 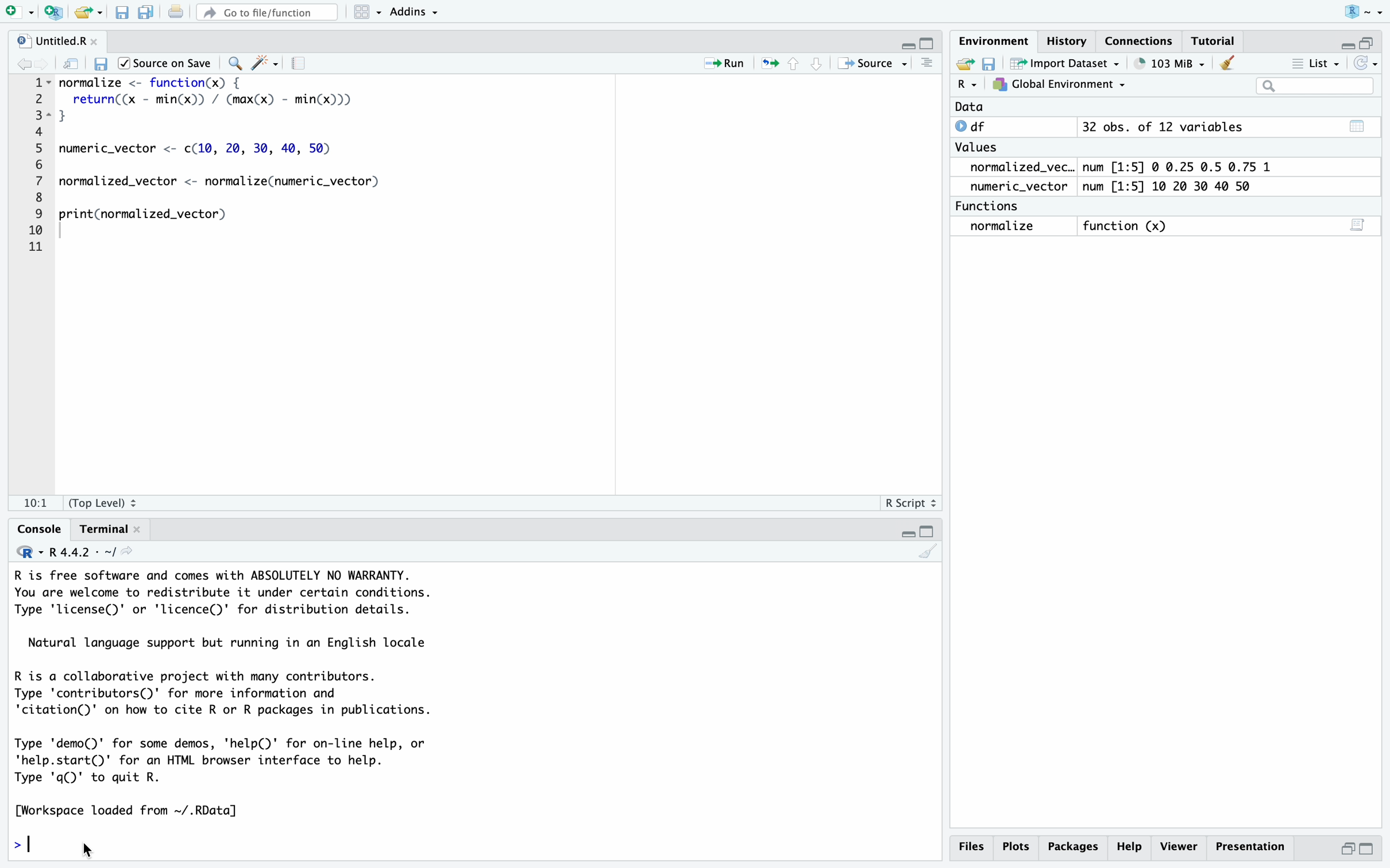 What do you see at coordinates (24, 554) in the screenshot?
I see `R` at bounding box center [24, 554].